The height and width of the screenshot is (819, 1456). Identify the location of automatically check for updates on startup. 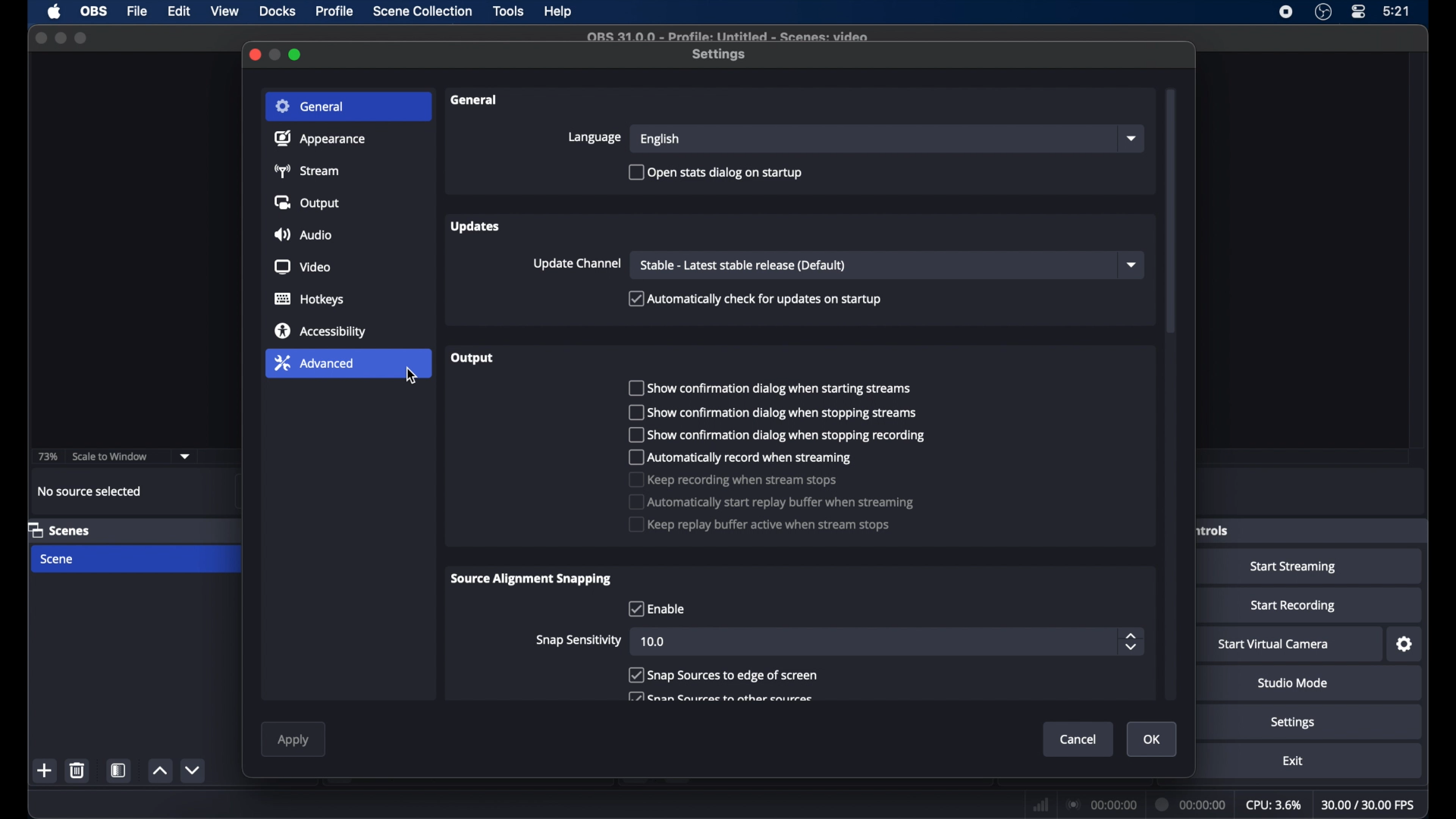
(755, 299).